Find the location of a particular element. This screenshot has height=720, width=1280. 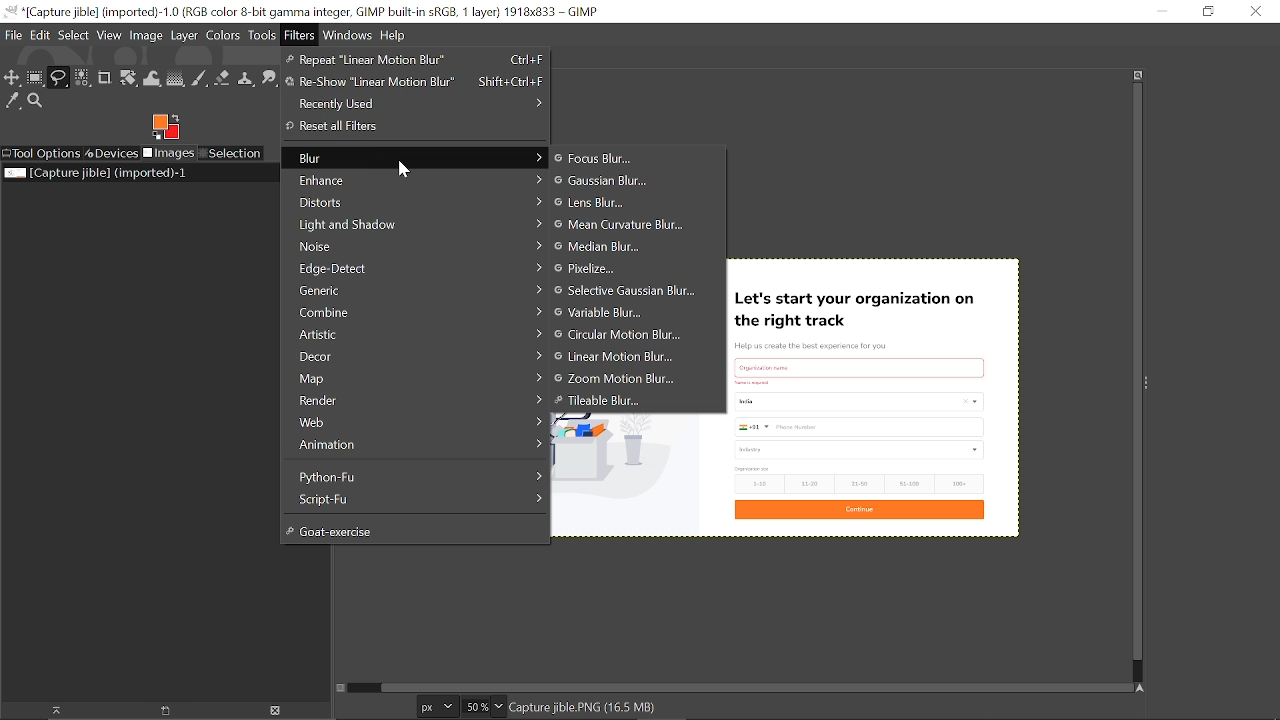

Median blur is located at coordinates (619, 247).